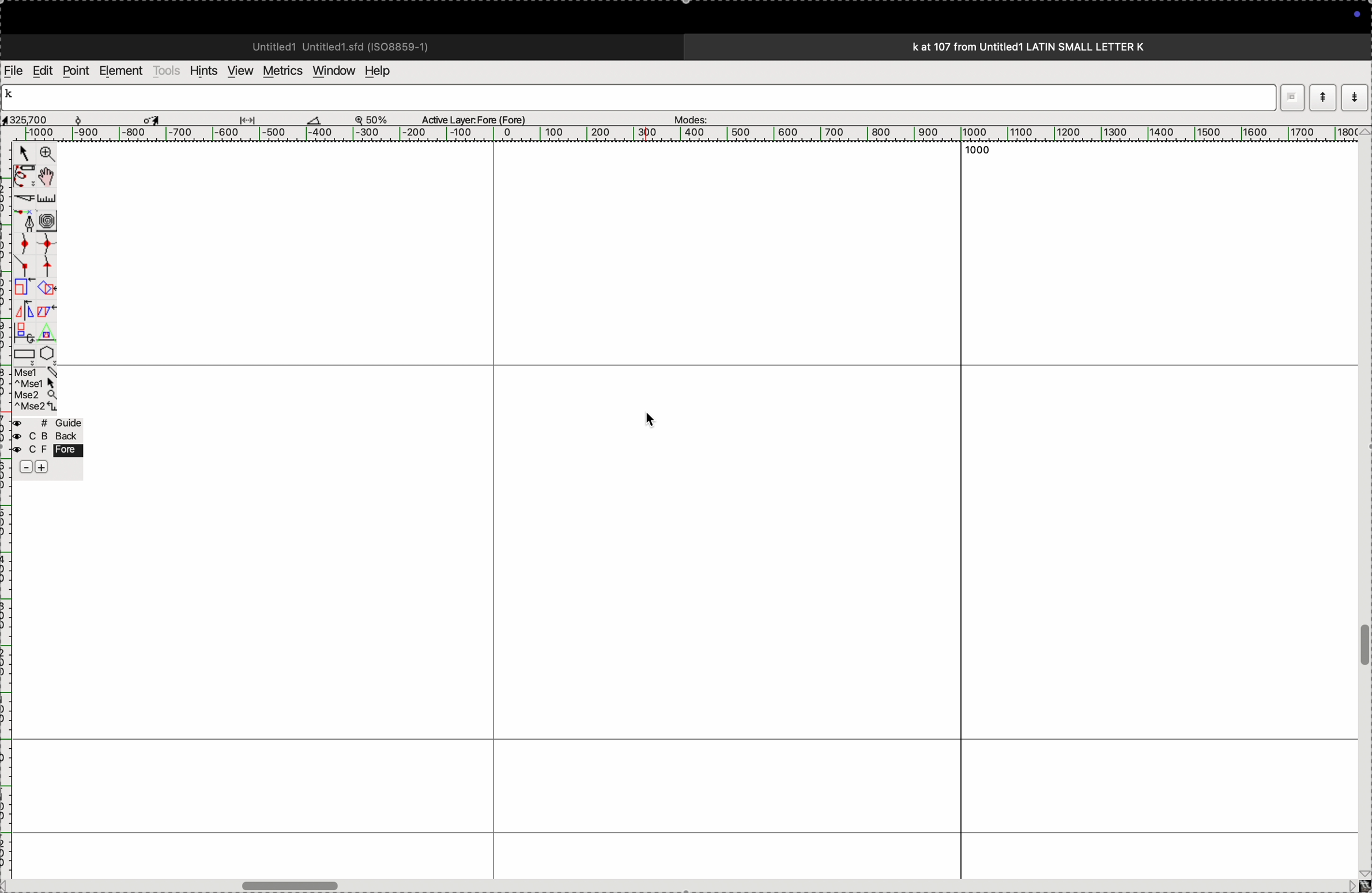  What do you see at coordinates (21, 352) in the screenshot?
I see `rectangle` at bounding box center [21, 352].